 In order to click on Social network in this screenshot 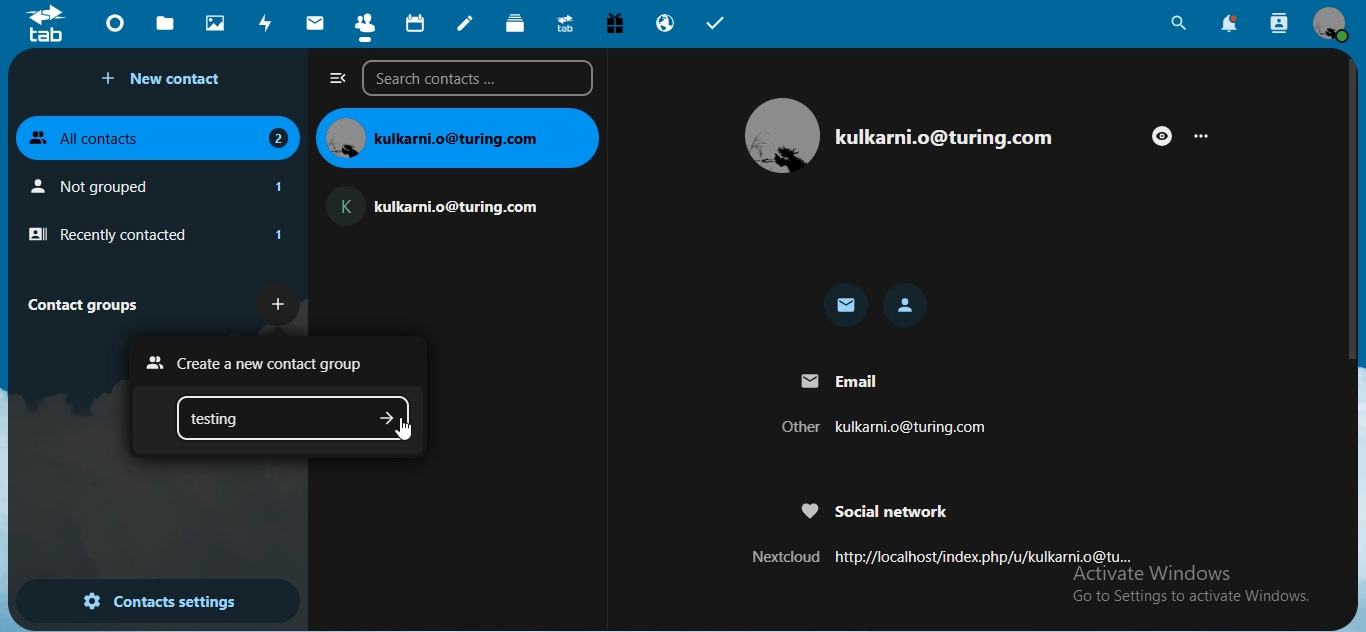, I will do `click(876, 512)`.